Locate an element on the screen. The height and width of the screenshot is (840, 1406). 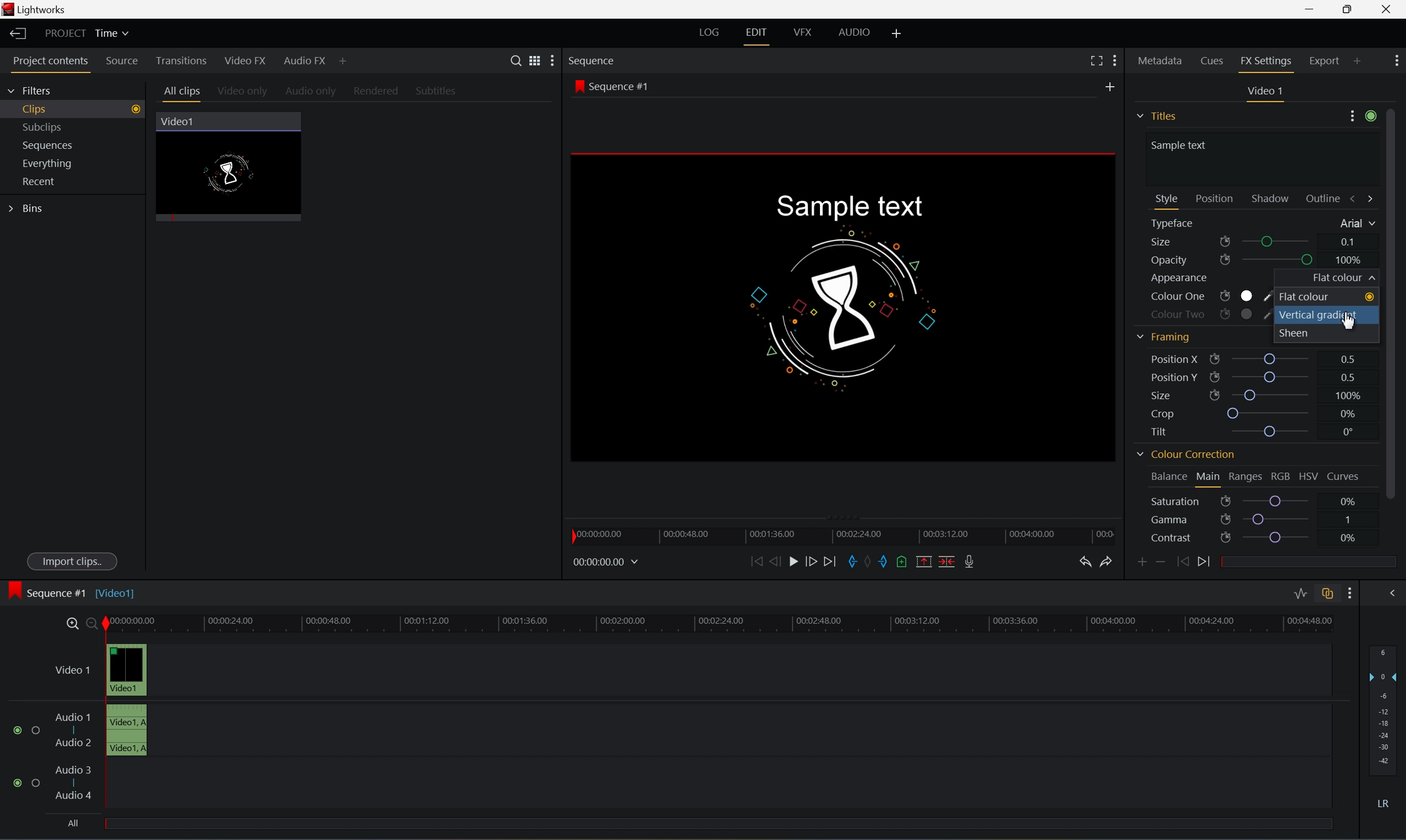
1 is located at coordinates (1348, 518).